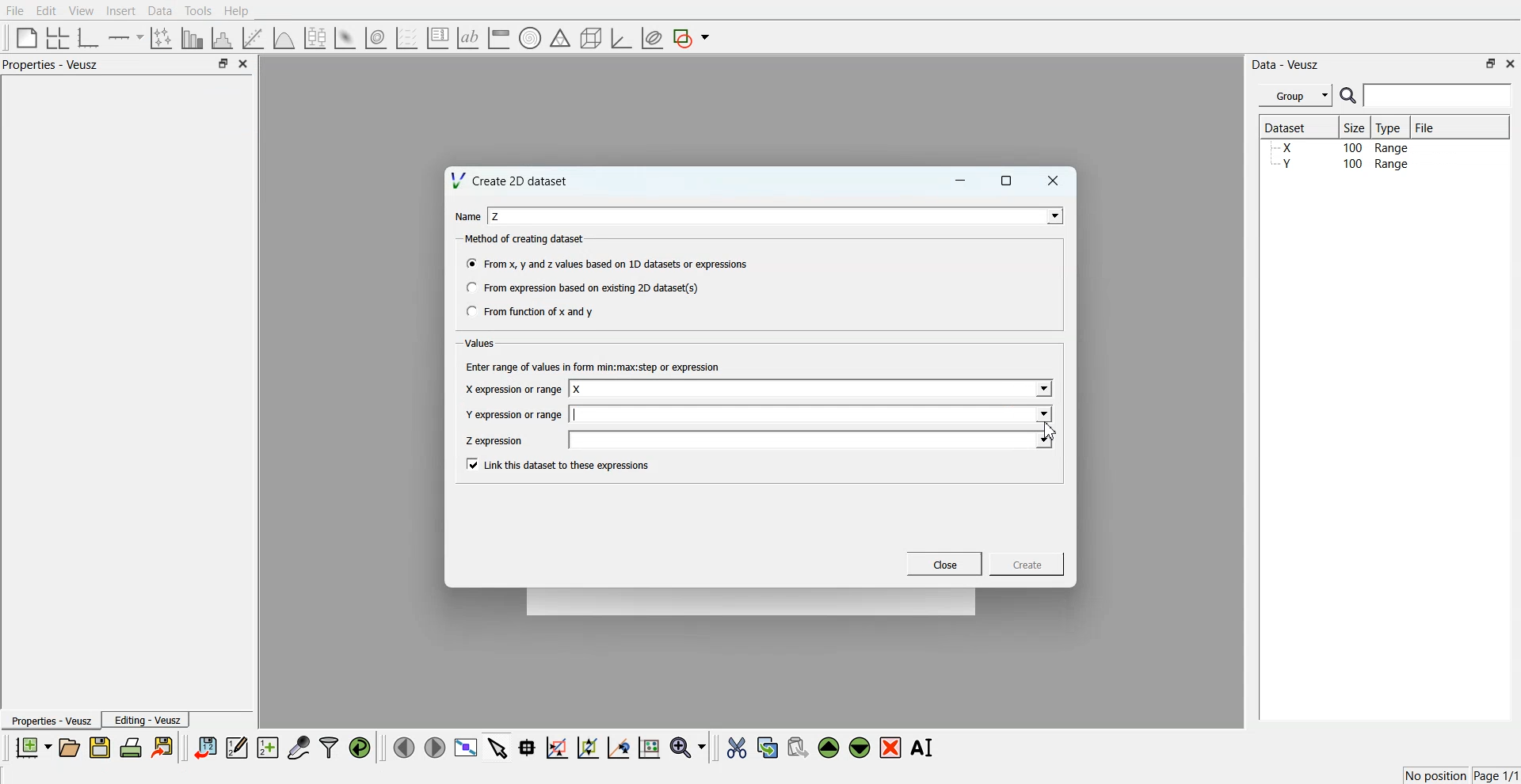  I want to click on Method of creating dataset, so click(526, 239).